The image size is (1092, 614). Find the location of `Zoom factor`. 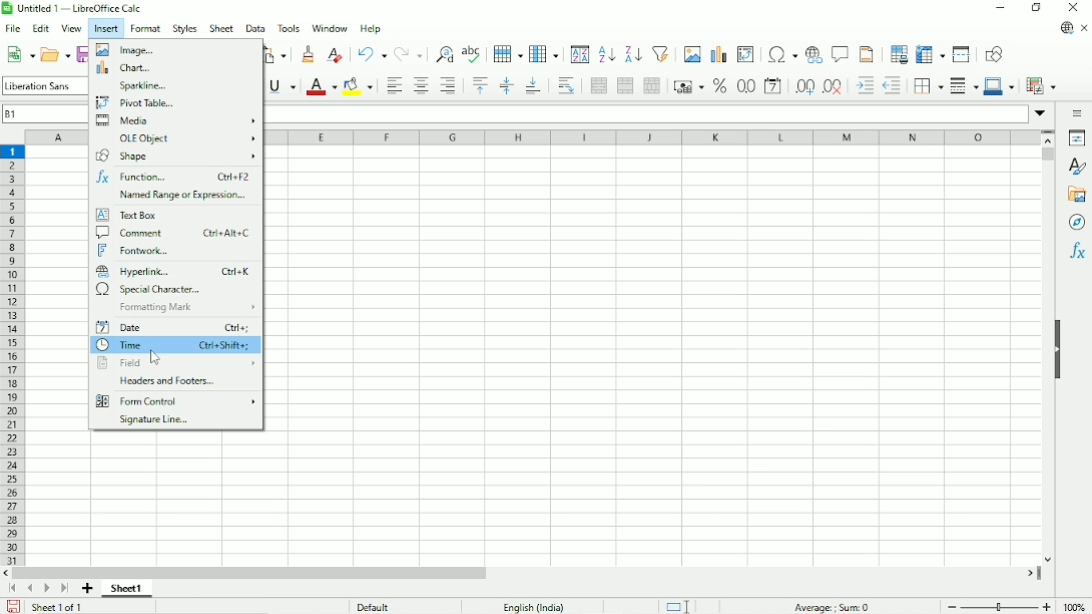

Zoom factor is located at coordinates (1075, 607).